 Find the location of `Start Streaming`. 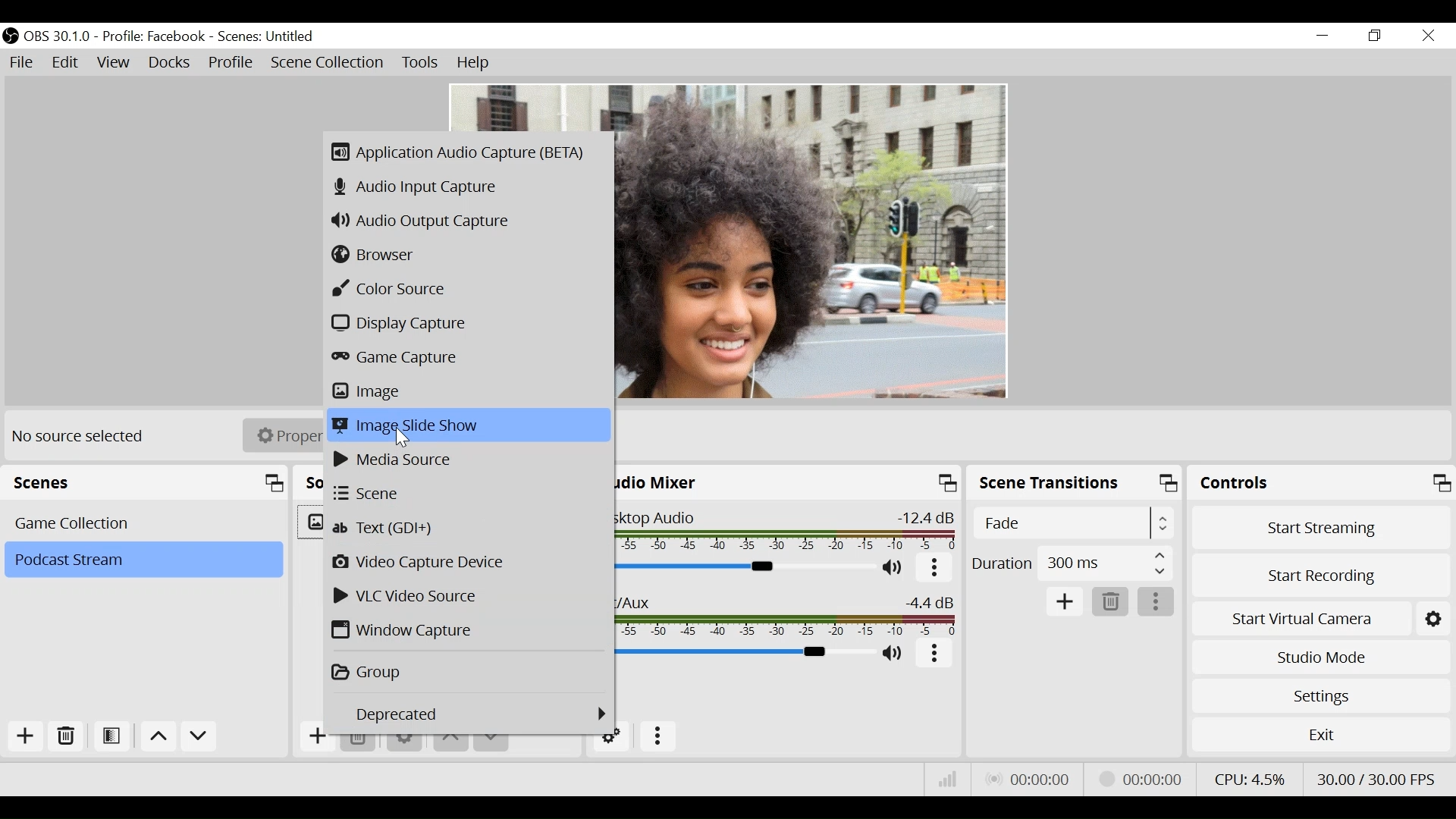

Start Streaming is located at coordinates (1322, 527).